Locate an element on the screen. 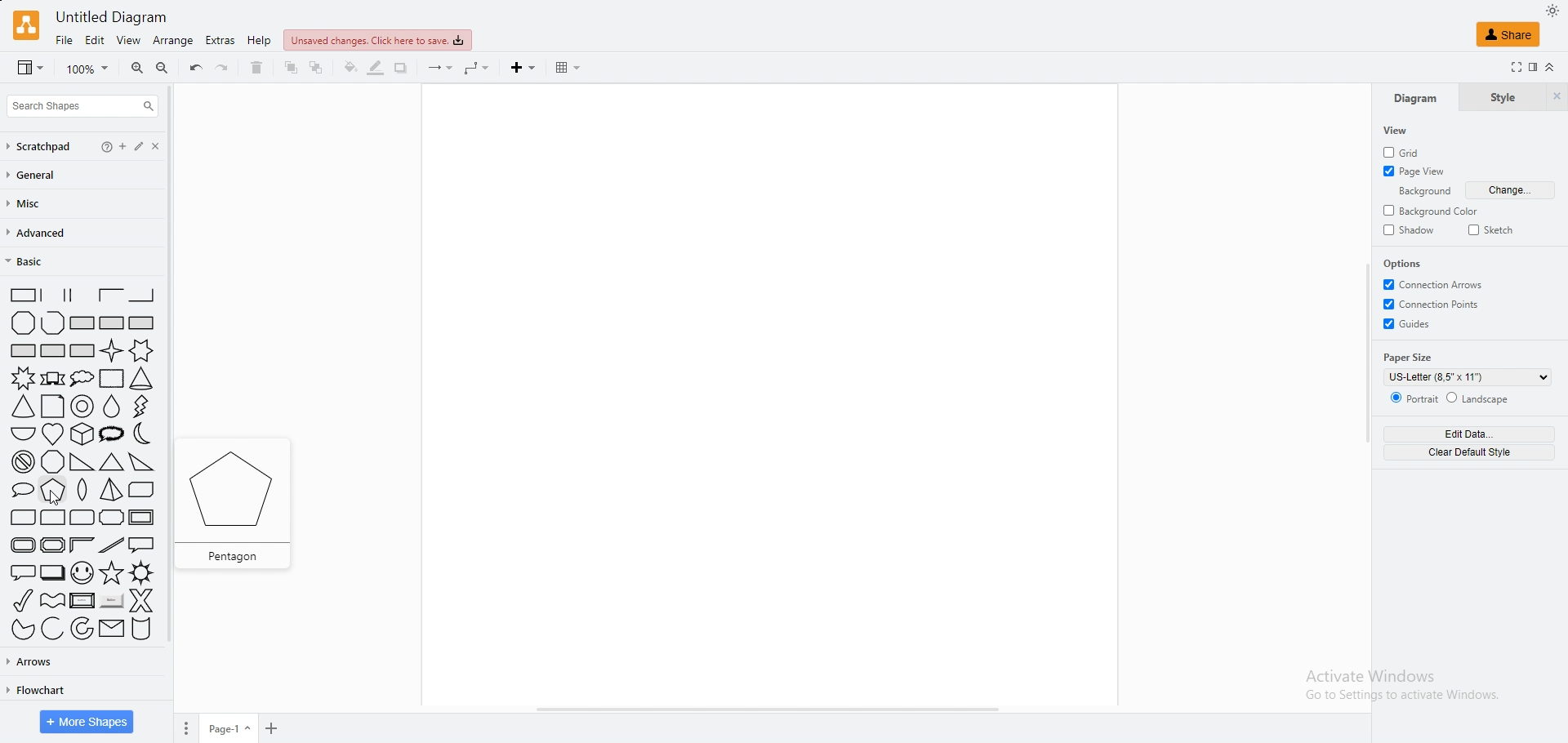 The image size is (1568, 743). change is located at coordinates (1512, 190).